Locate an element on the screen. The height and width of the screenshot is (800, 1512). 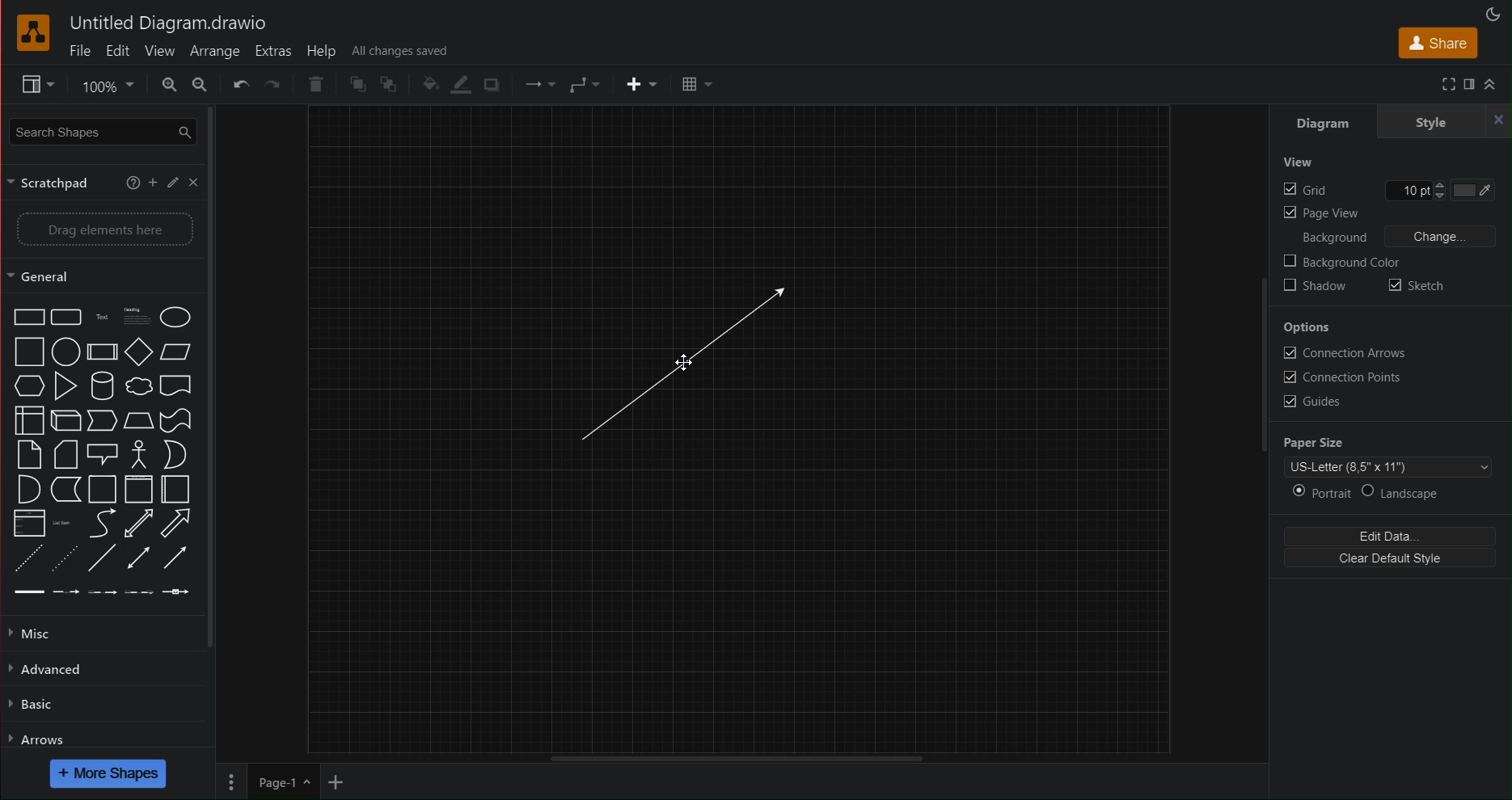
Waypoint is located at coordinates (538, 85).